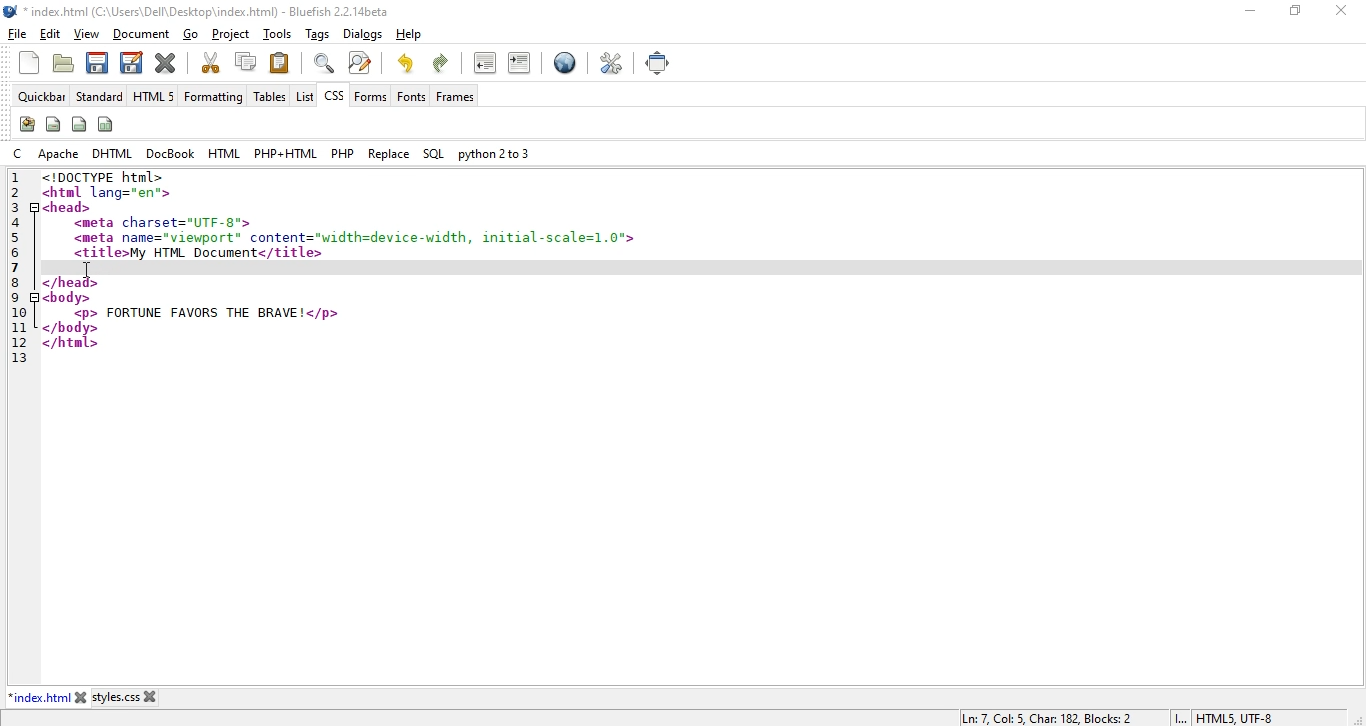 This screenshot has height=726, width=1366. Describe the element at coordinates (405, 62) in the screenshot. I see `redo` at that location.